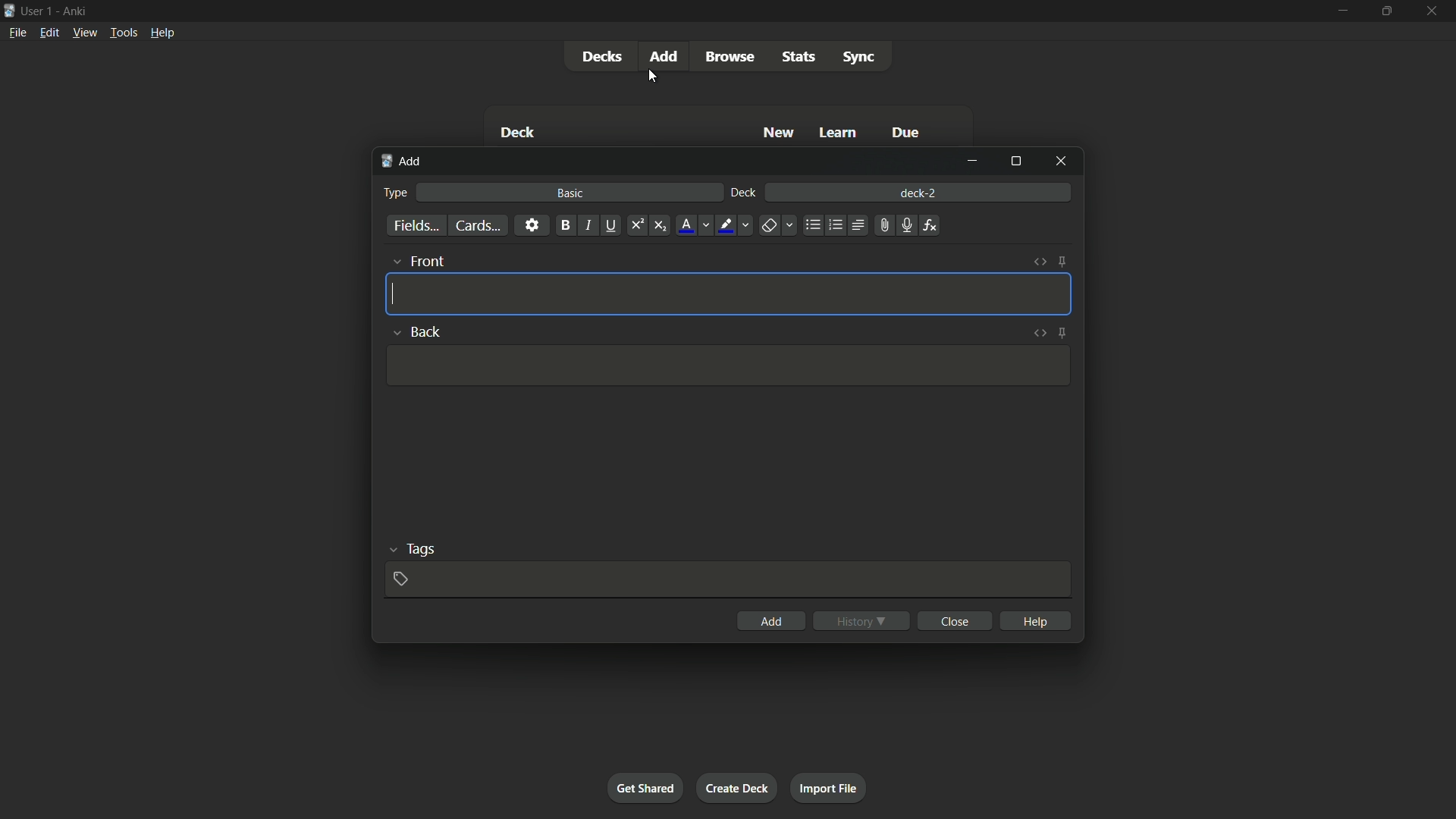 This screenshot has height=819, width=1456. Describe the element at coordinates (777, 227) in the screenshot. I see `remove formatting` at that location.